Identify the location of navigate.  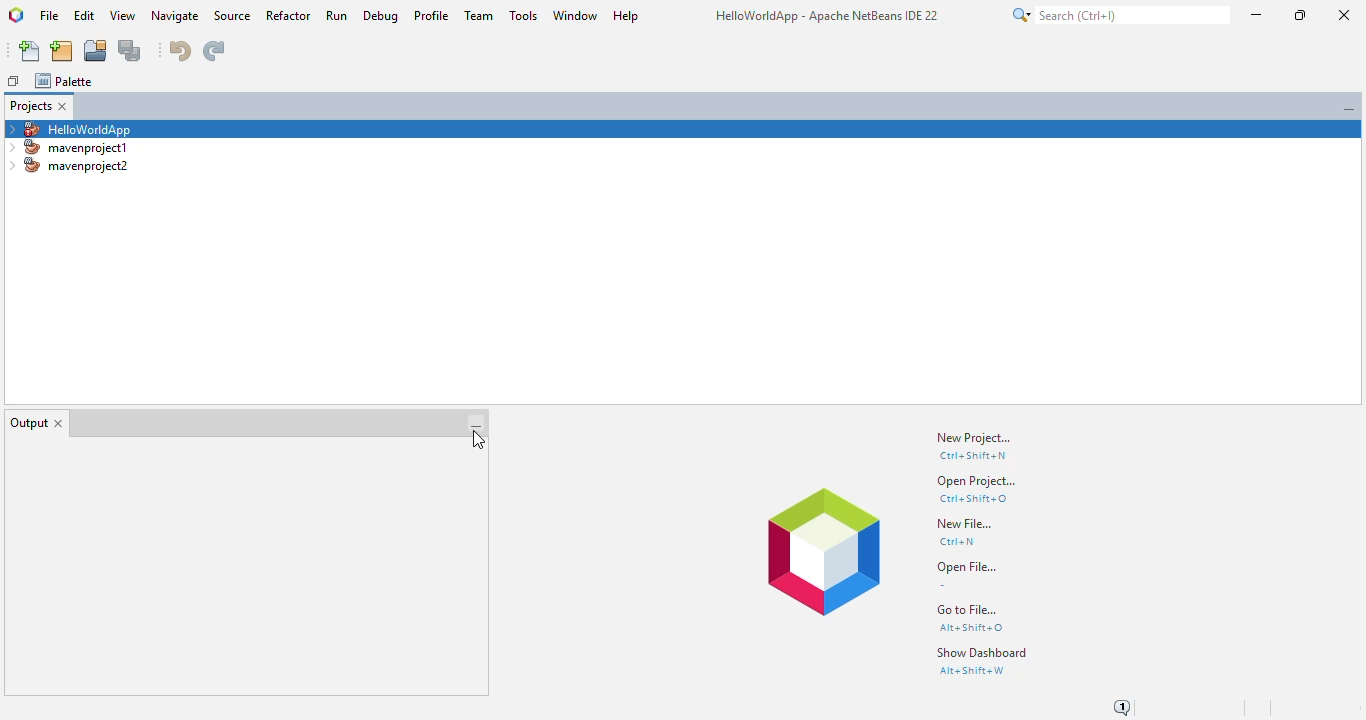
(176, 17).